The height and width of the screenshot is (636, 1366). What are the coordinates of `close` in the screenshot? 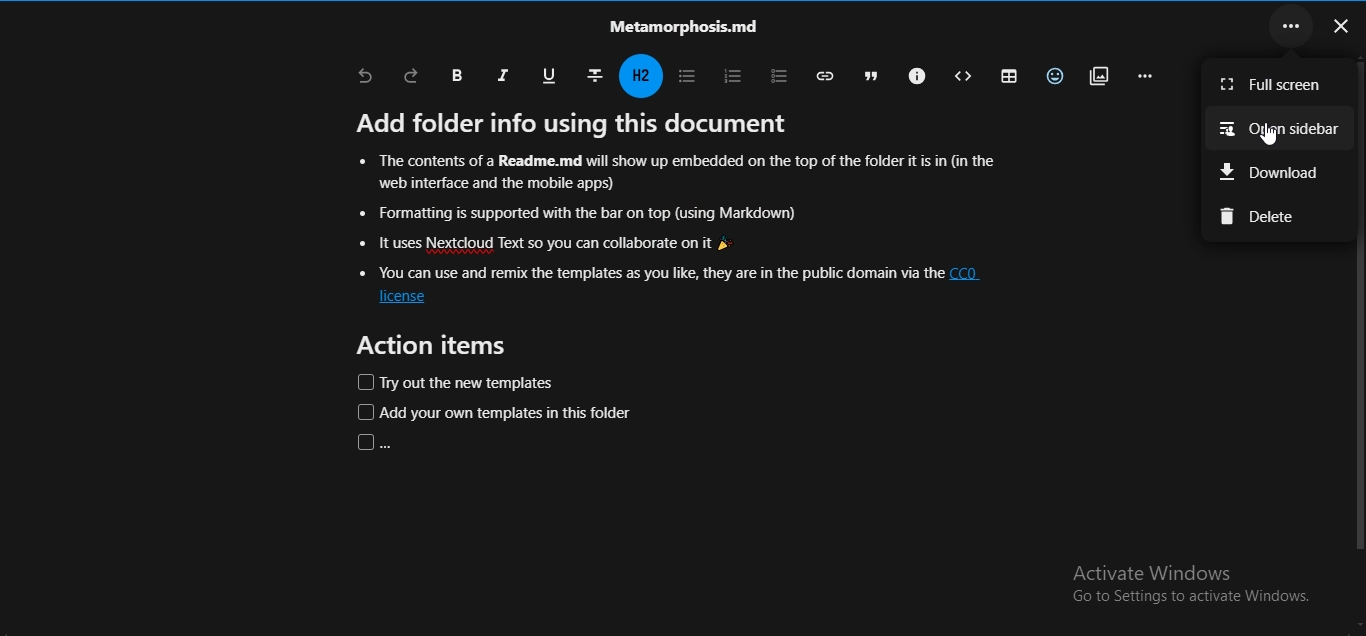 It's located at (1342, 29).